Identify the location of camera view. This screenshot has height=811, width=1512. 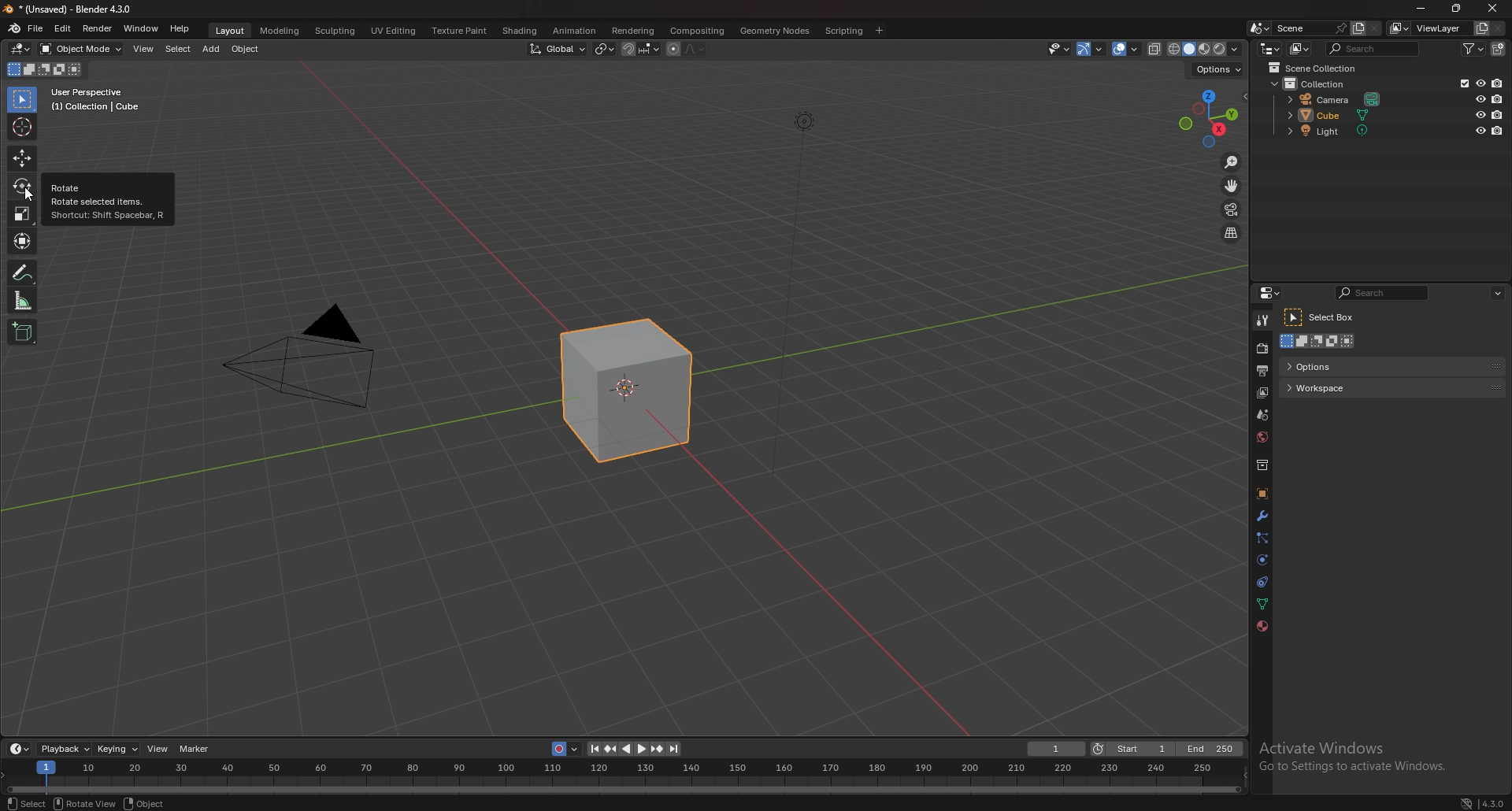
(1232, 209).